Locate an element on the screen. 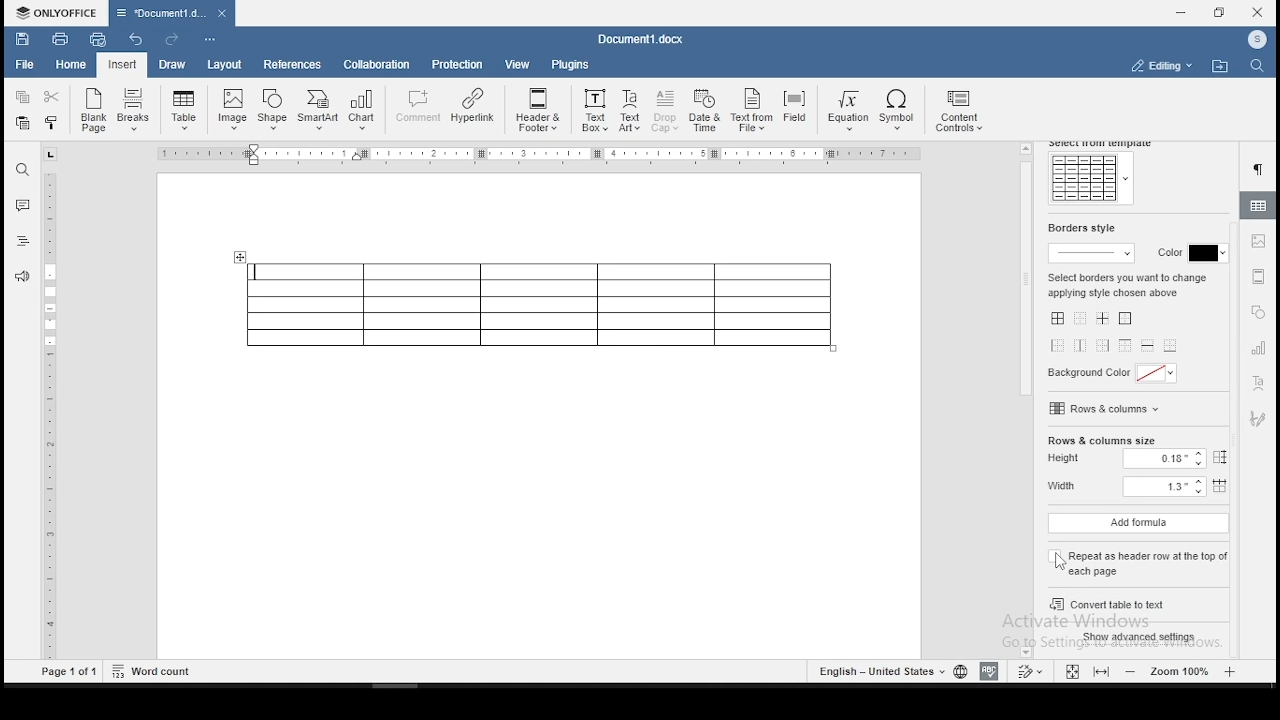  collaboration is located at coordinates (379, 67).